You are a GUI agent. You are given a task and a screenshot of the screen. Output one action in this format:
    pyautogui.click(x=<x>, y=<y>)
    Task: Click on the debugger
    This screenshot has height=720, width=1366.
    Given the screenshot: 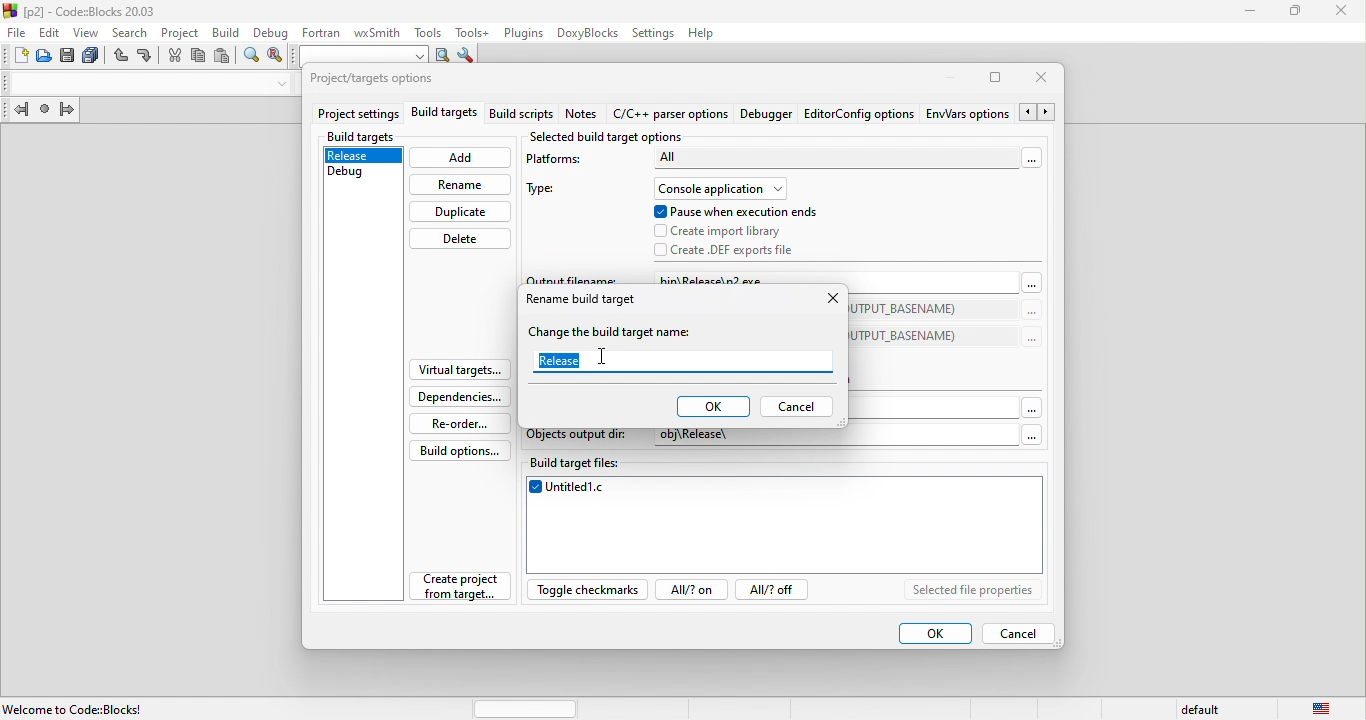 What is the action you would take?
    pyautogui.click(x=769, y=115)
    